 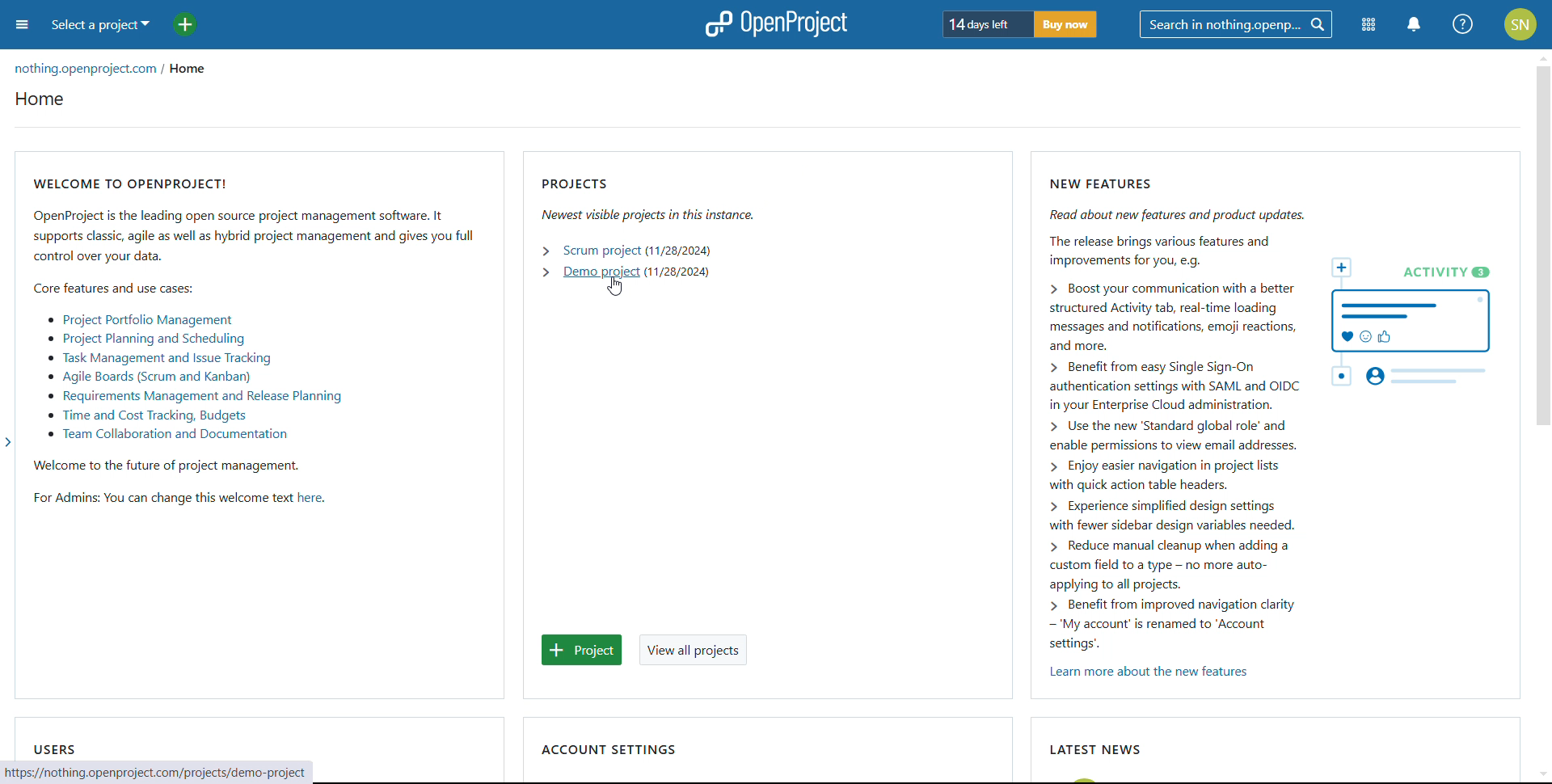 I want to click on days left for trial, so click(x=985, y=25).